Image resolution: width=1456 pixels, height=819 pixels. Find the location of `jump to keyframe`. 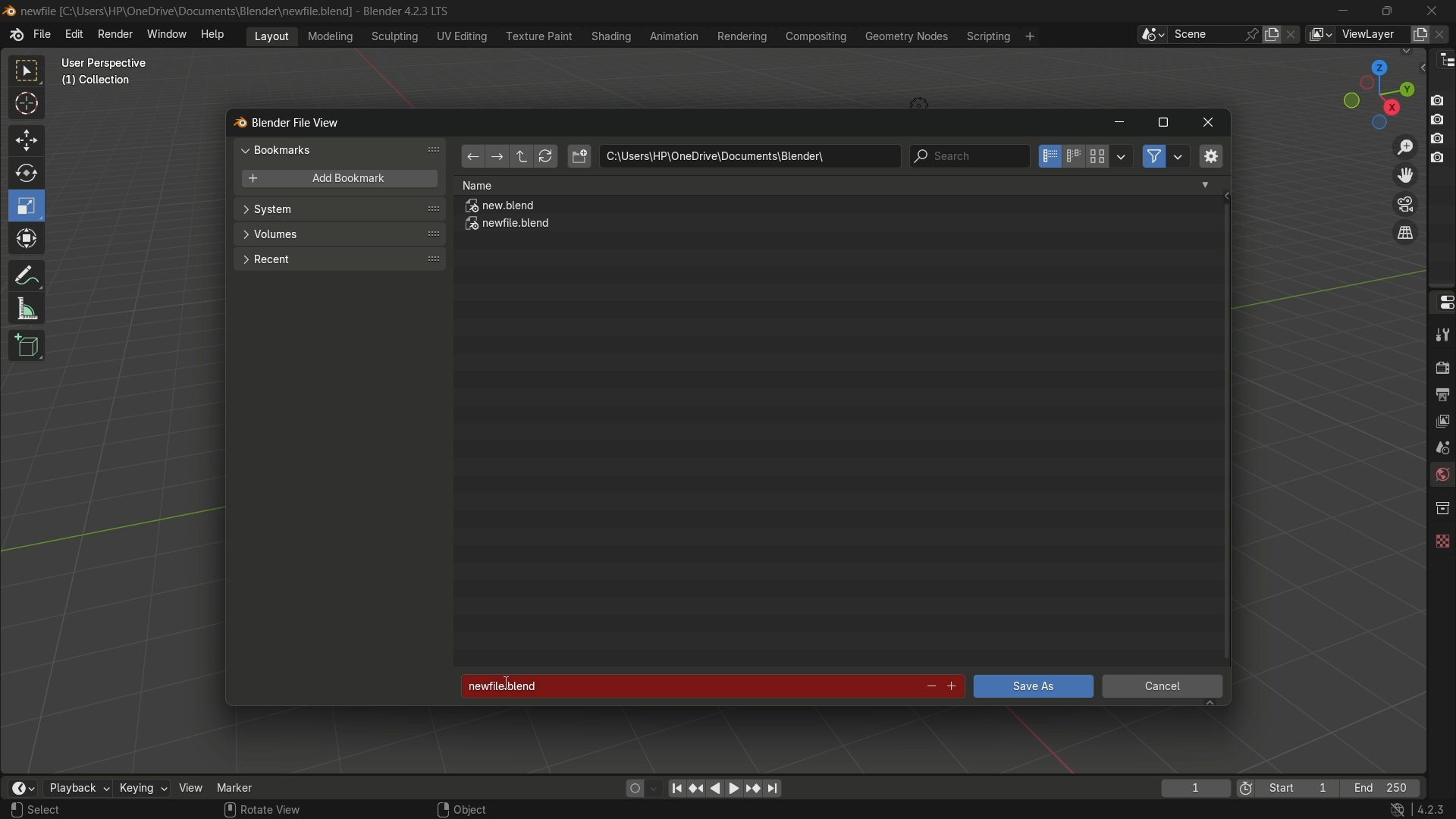

jump to keyframe is located at coordinates (753, 787).